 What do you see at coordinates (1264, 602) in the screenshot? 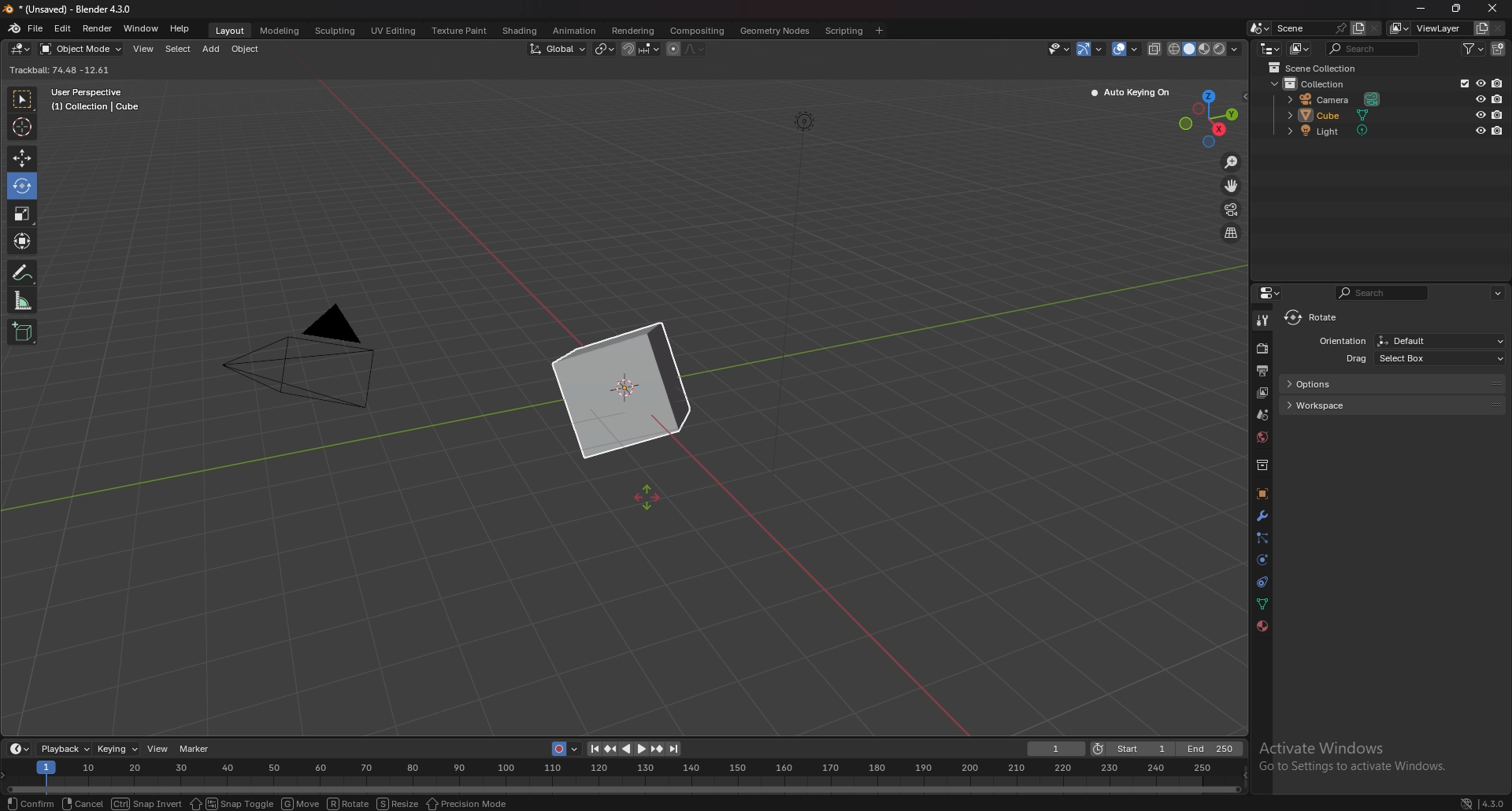
I see `data` at bounding box center [1264, 602].